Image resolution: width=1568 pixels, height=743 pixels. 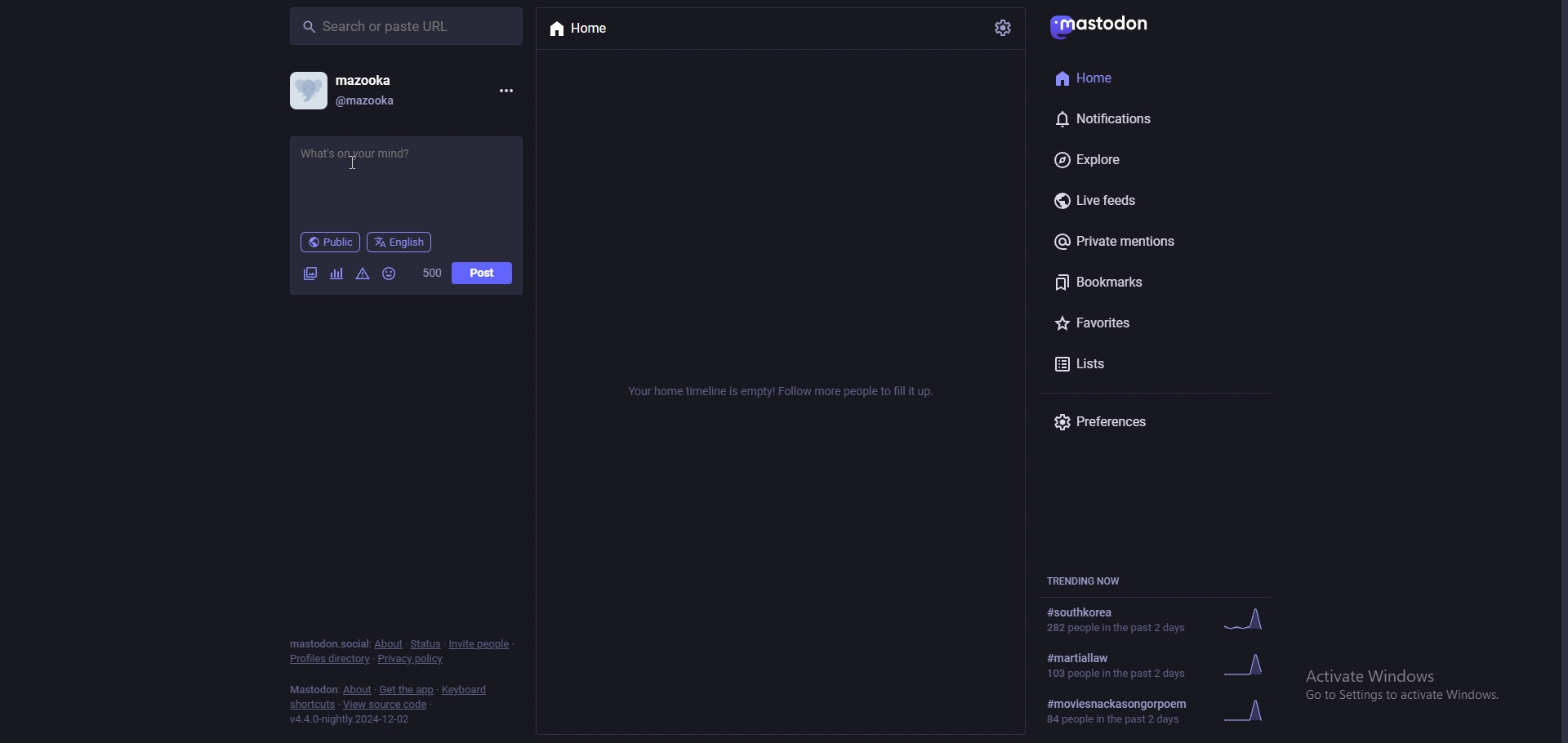 What do you see at coordinates (313, 705) in the screenshot?
I see `shortcuts` at bounding box center [313, 705].